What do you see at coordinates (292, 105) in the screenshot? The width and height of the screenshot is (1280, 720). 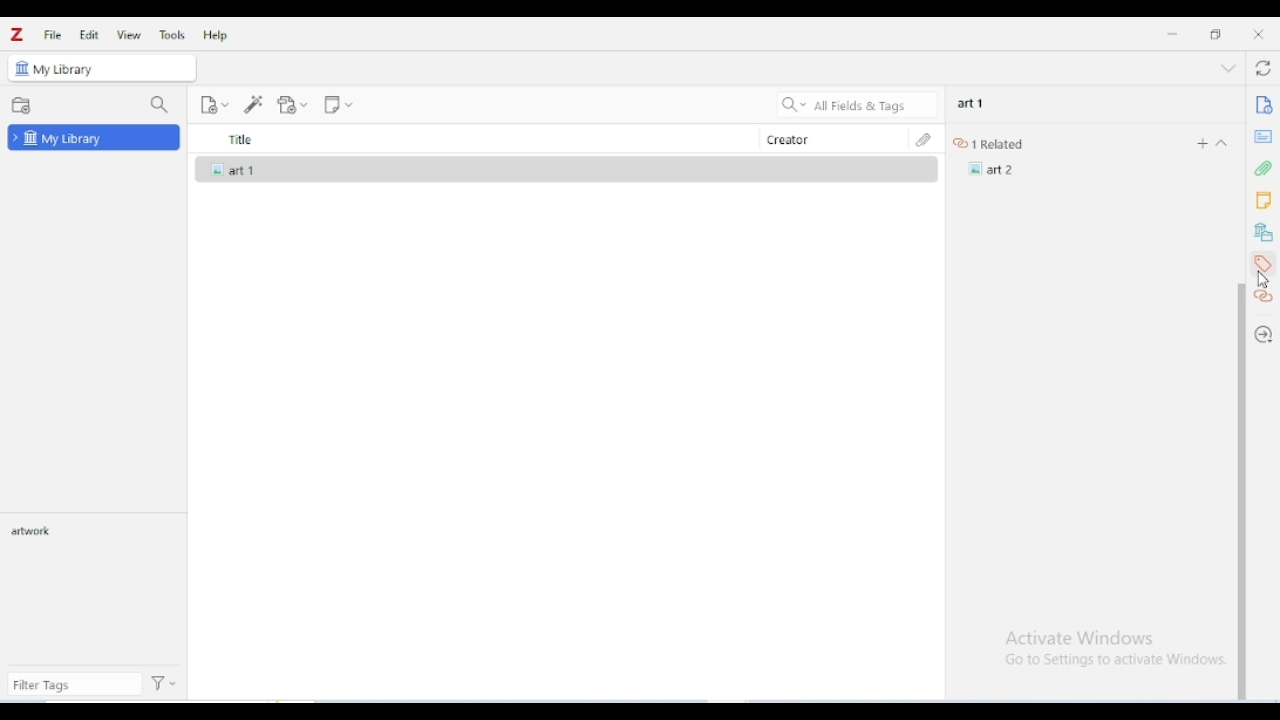 I see `add attachment` at bounding box center [292, 105].